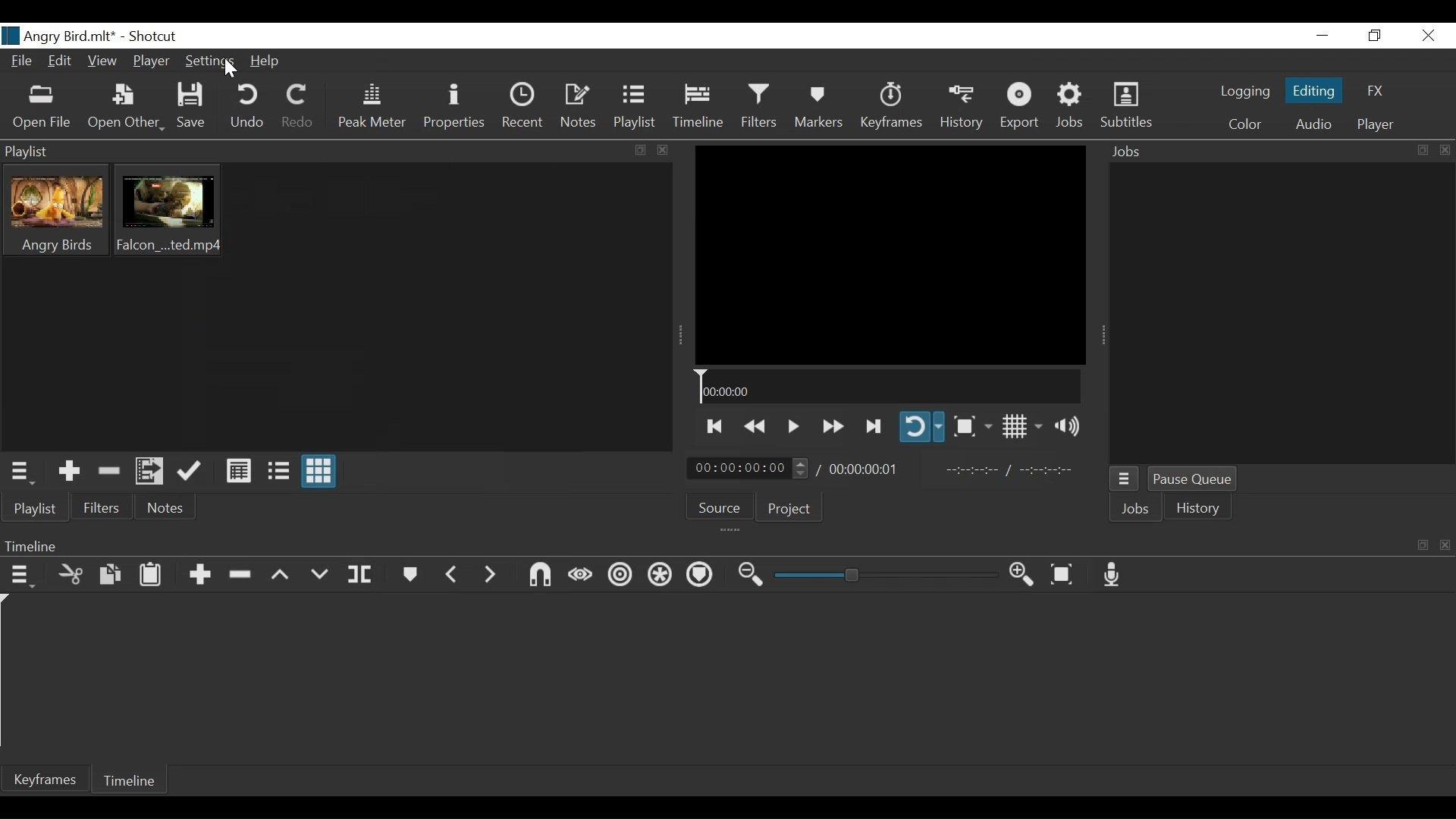 The width and height of the screenshot is (1456, 819). I want to click on Scrub while dragging, so click(581, 576).